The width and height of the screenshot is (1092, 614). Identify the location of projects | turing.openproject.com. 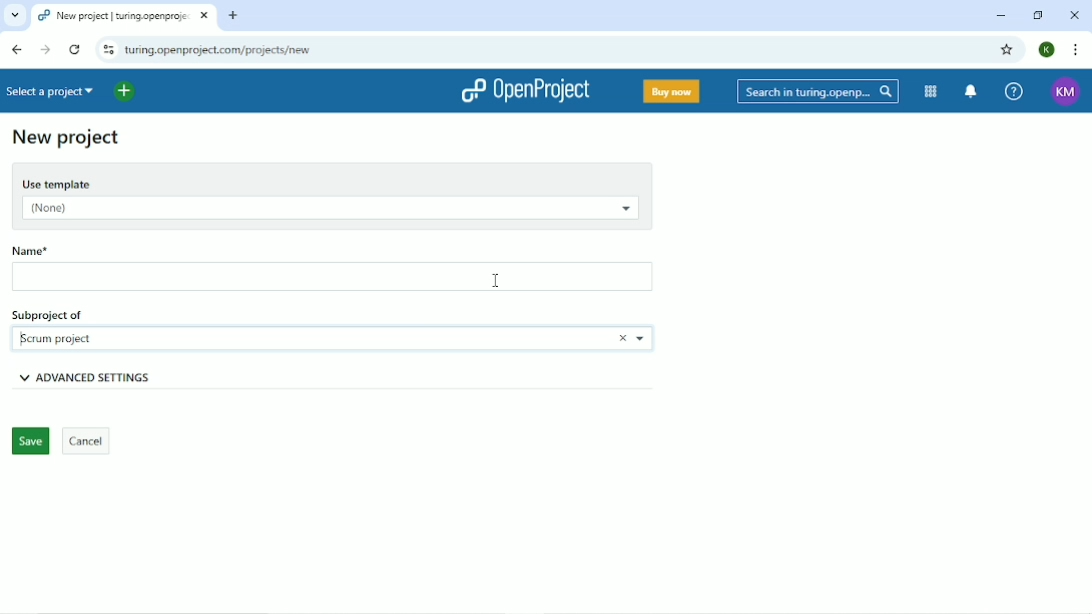
(111, 14).